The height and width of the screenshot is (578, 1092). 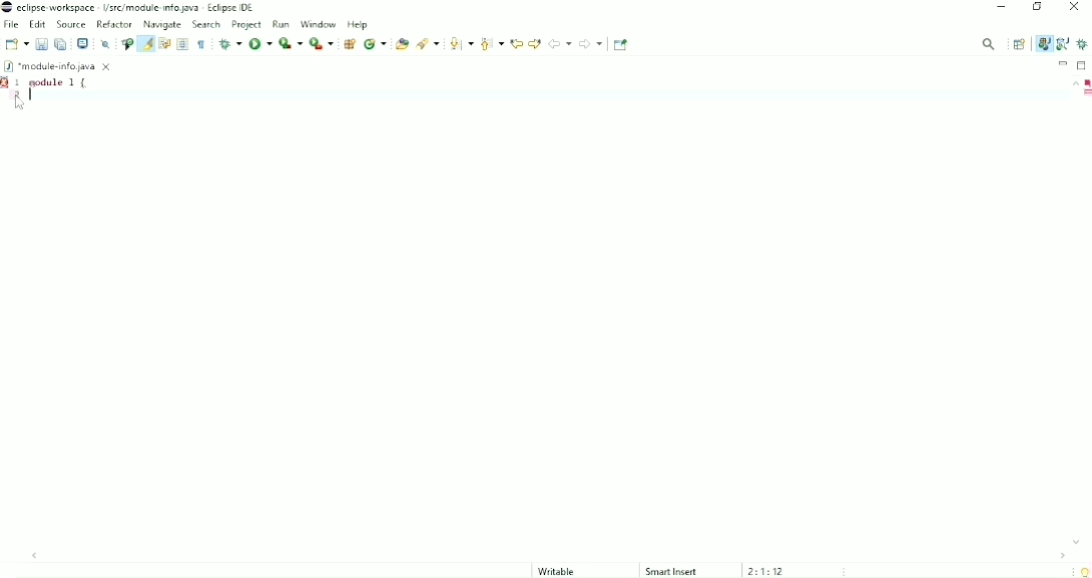 What do you see at coordinates (767, 570) in the screenshot?
I see `2:1:12` at bounding box center [767, 570].